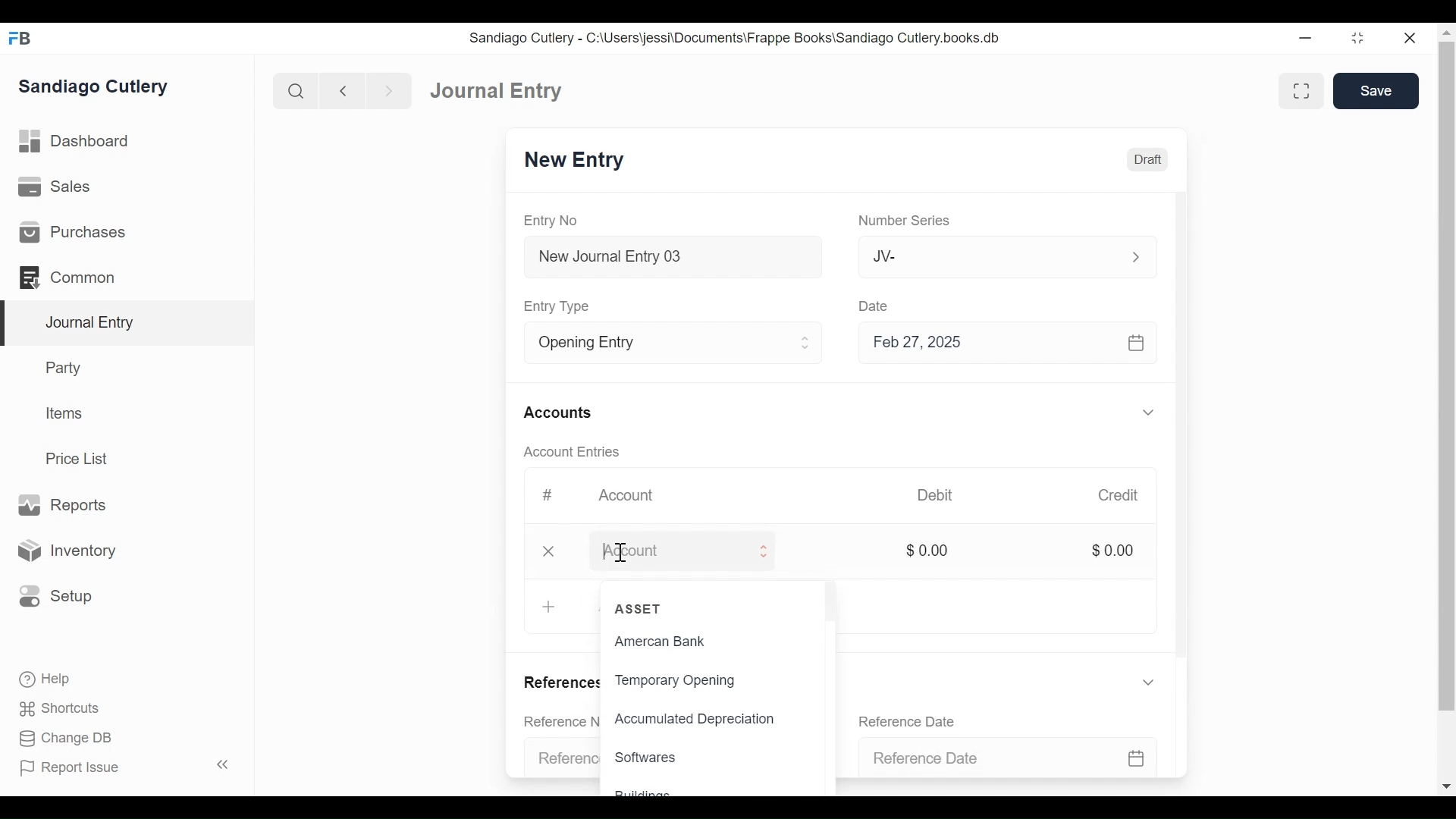 This screenshot has width=1456, height=819. What do you see at coordinates (871, 306) in the screenshot?
I see `Date` at bounding box center [871, 306].